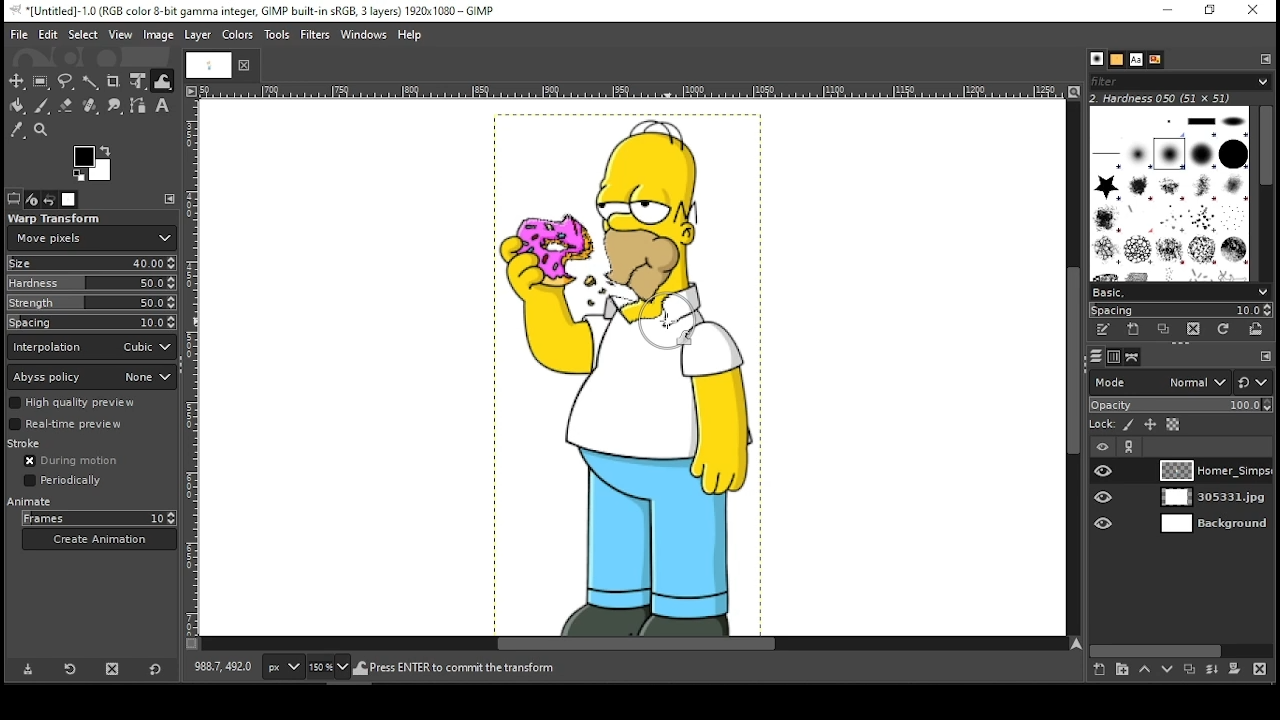 The height and width of the screenshot is (720, 1280). What do you see at coordinates (257, 10) in the screenshot?
I see `icon and filename` at bounding box center [257, 10].